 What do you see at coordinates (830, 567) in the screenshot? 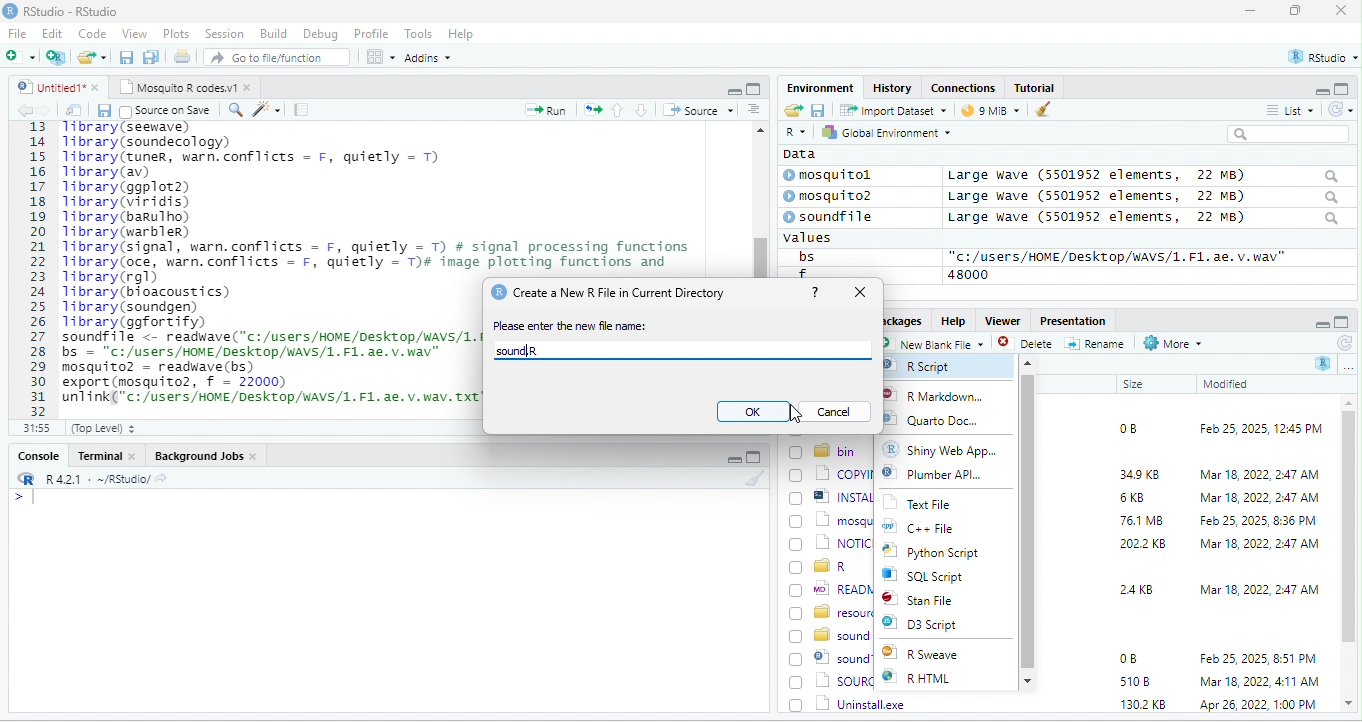
I see `[) = R` at bounding box center [830, 567].